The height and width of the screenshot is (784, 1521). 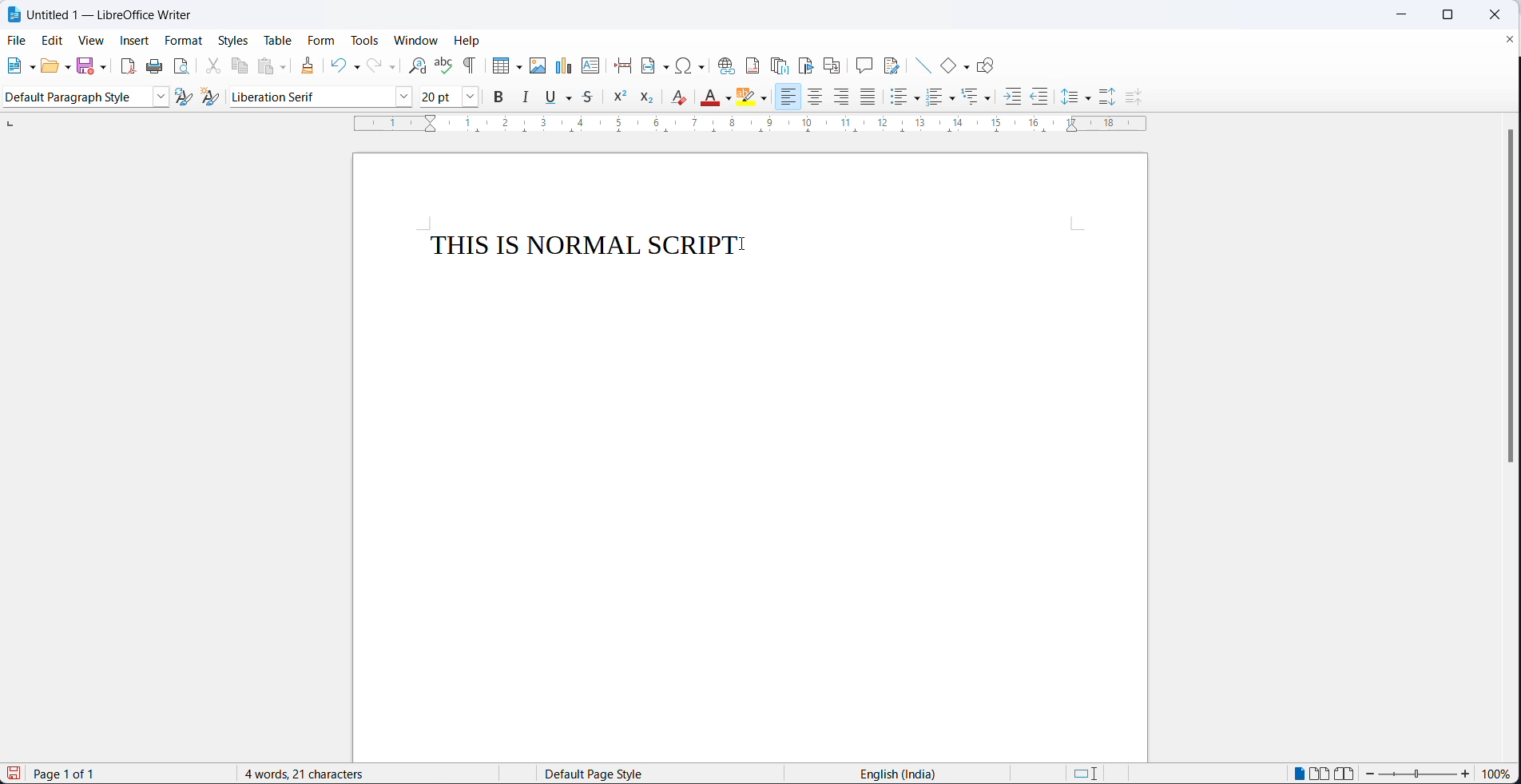 What do you see at coordinates (1503, 298) in the screenshot?
I see `scroll bar` at bounding box center [1503, 298].